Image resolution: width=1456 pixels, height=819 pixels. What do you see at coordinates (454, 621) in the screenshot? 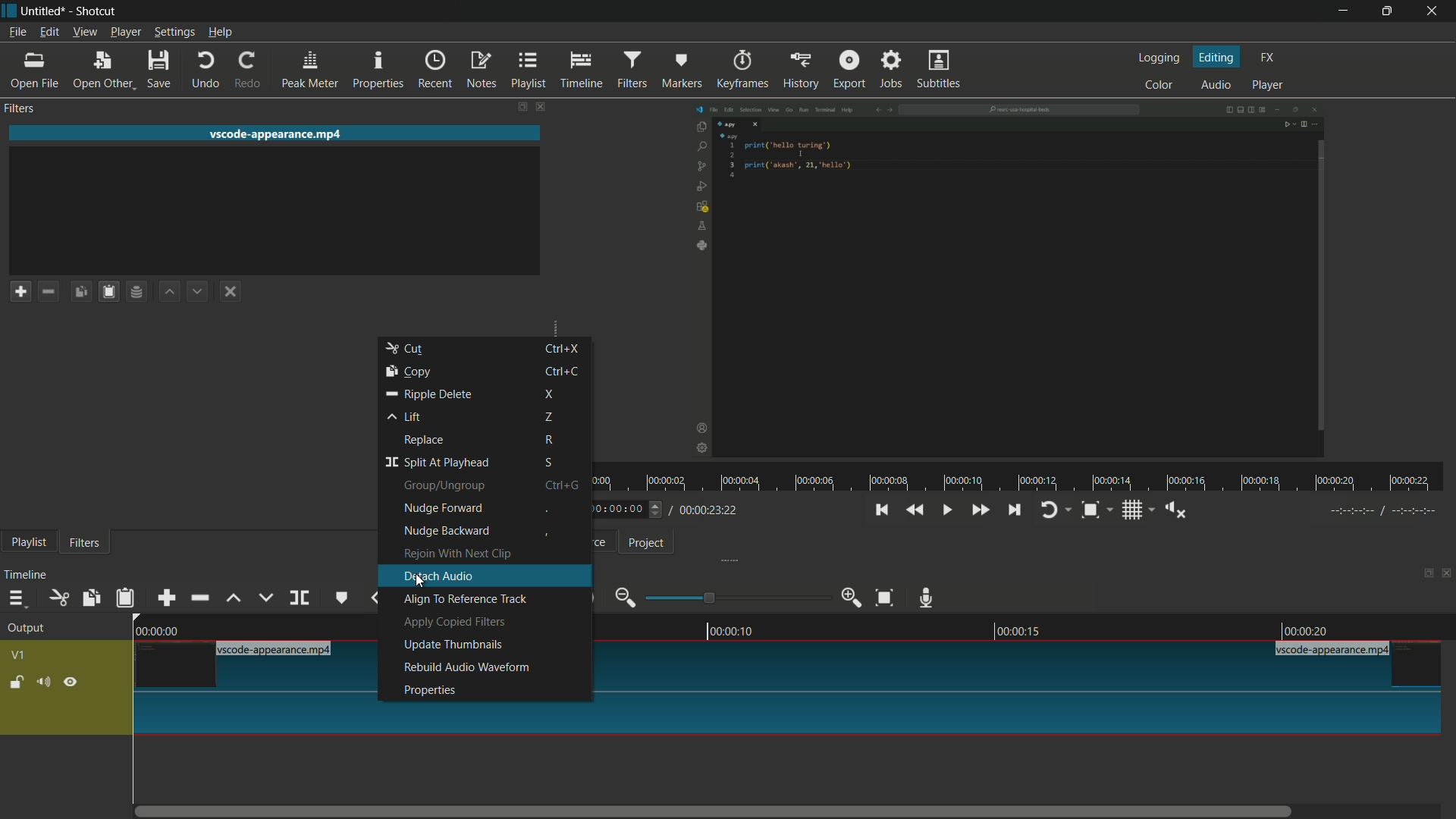
I see `apply copied filters` at bounding box center [454, 621].